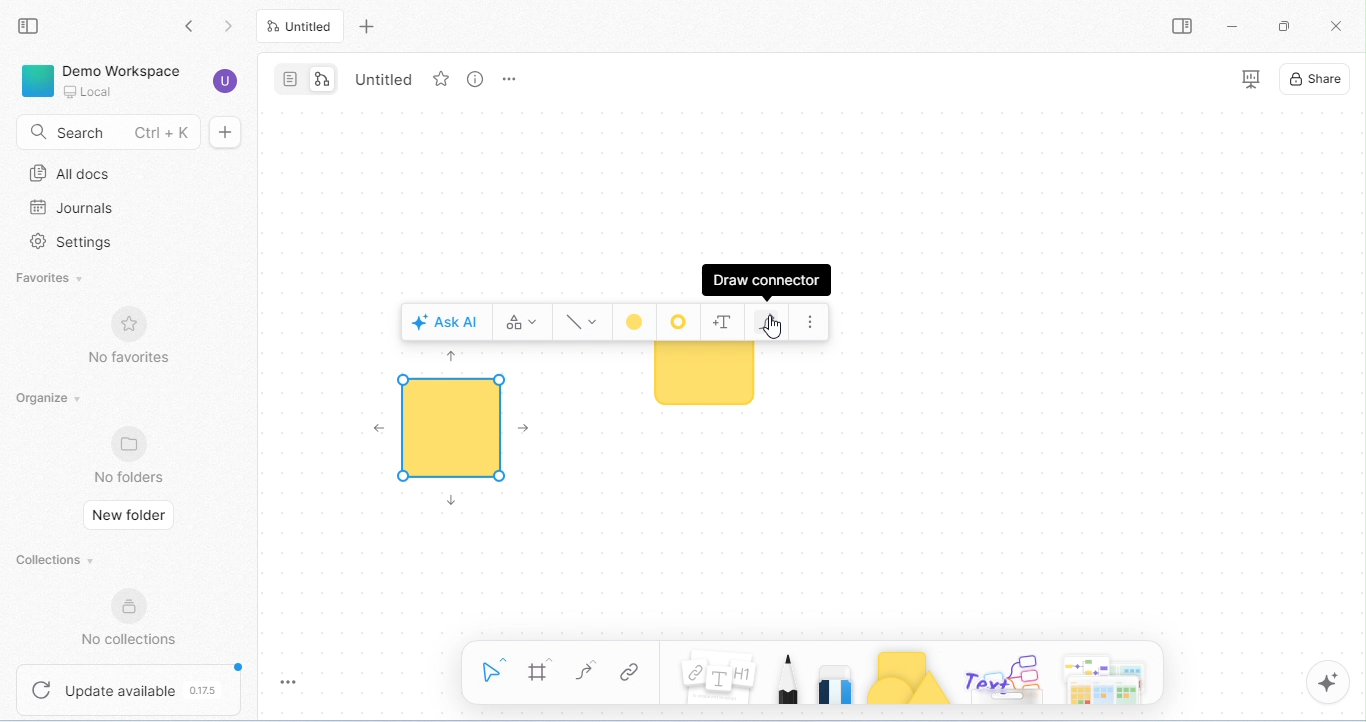 The width and height of the screenshot is (1366, 722). I want to click on pencil, so click(788, 676).